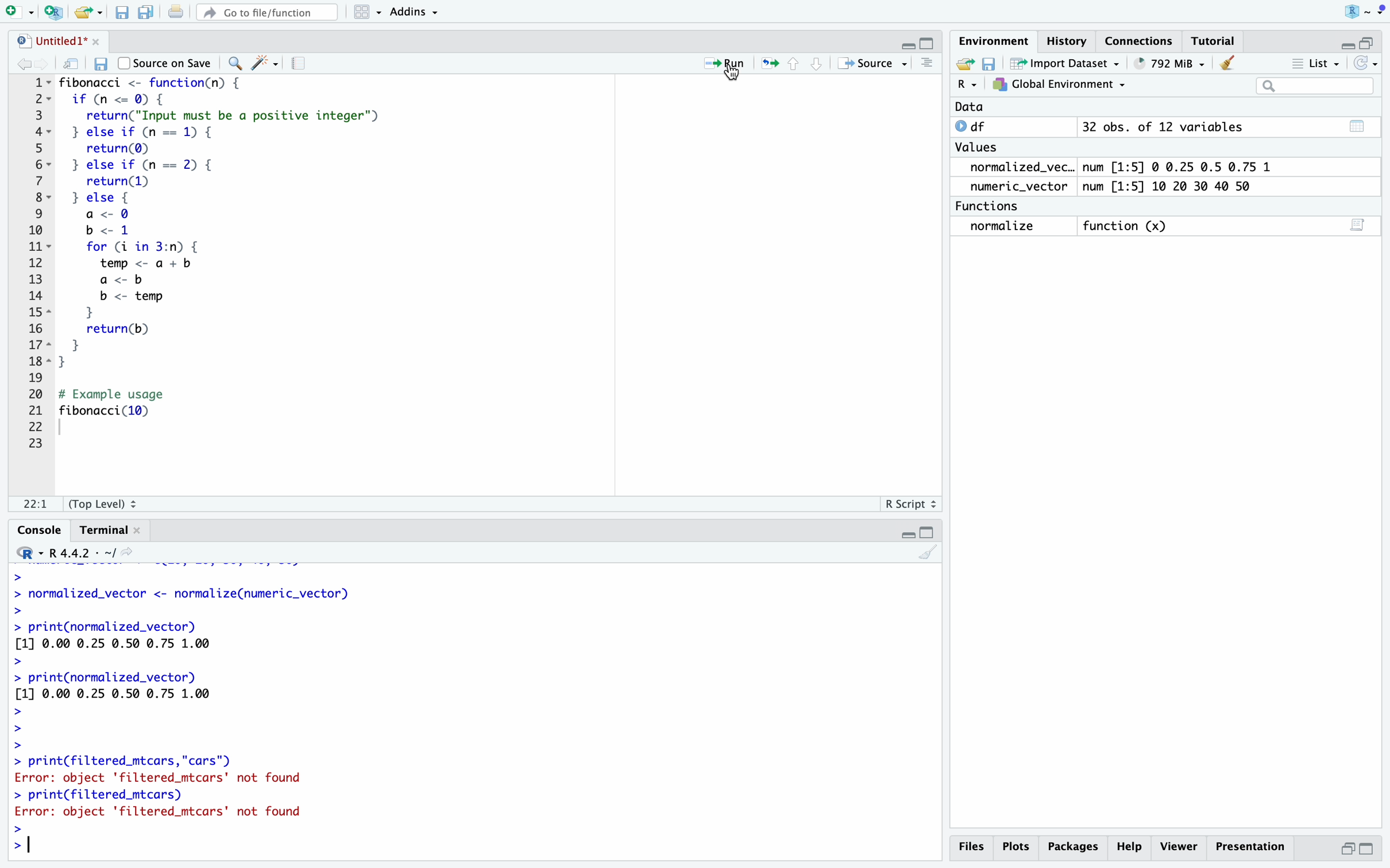 Image resolution: width=1390 pixels, height=868 pixels. Describe the element at coordinates (36, 505) in the screenshot. I see `1:1` at that location.